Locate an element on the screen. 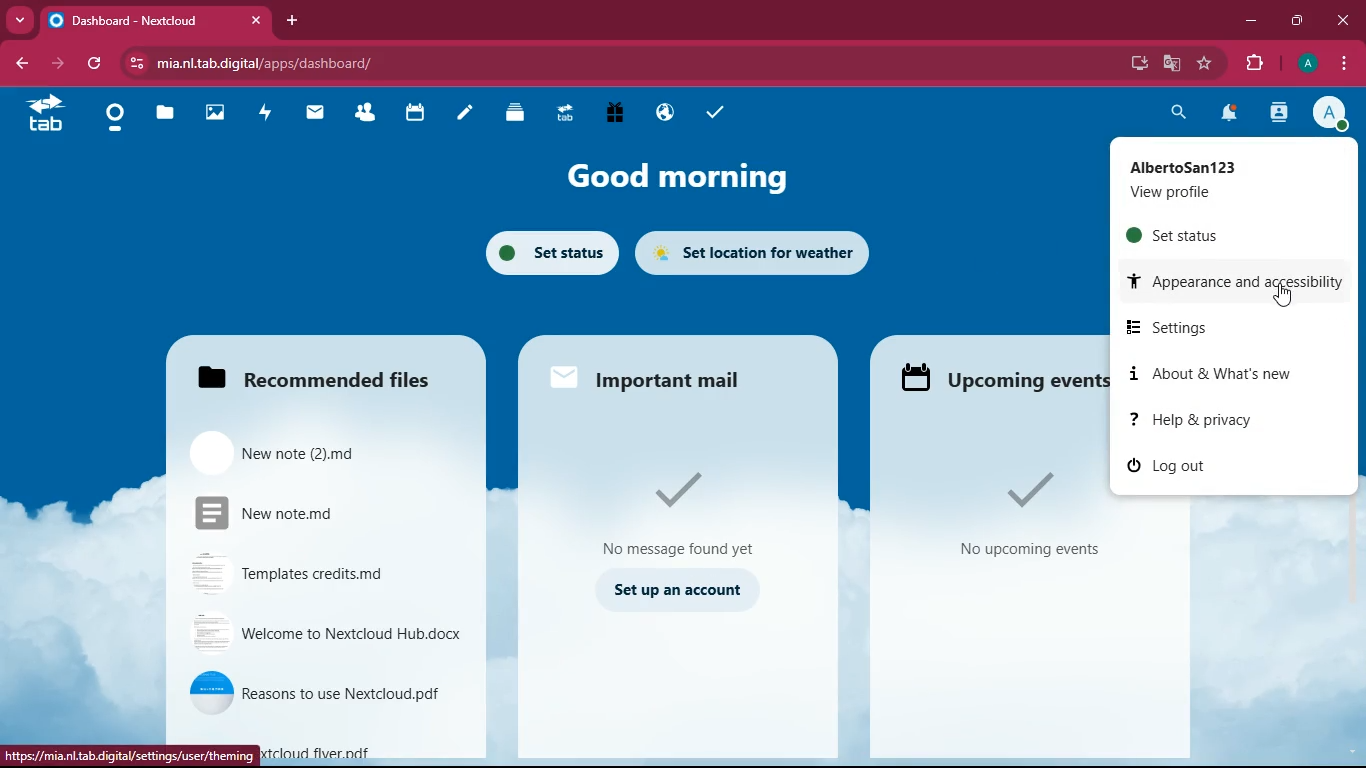 The image size is (1366, 768). home is located at coordinates (112, 118).